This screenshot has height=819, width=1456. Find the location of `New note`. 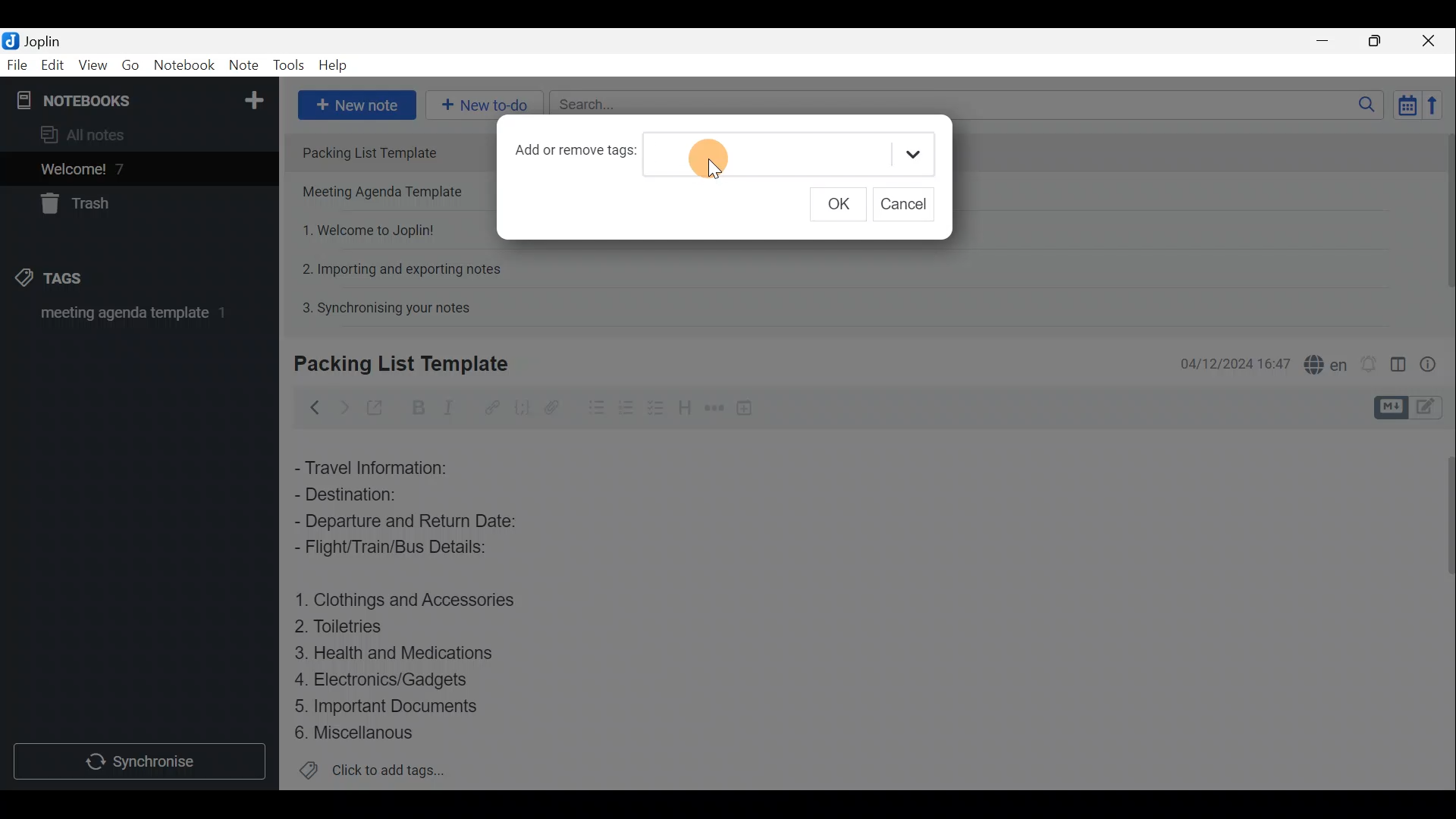

New note is located at coordinates (356, 103).